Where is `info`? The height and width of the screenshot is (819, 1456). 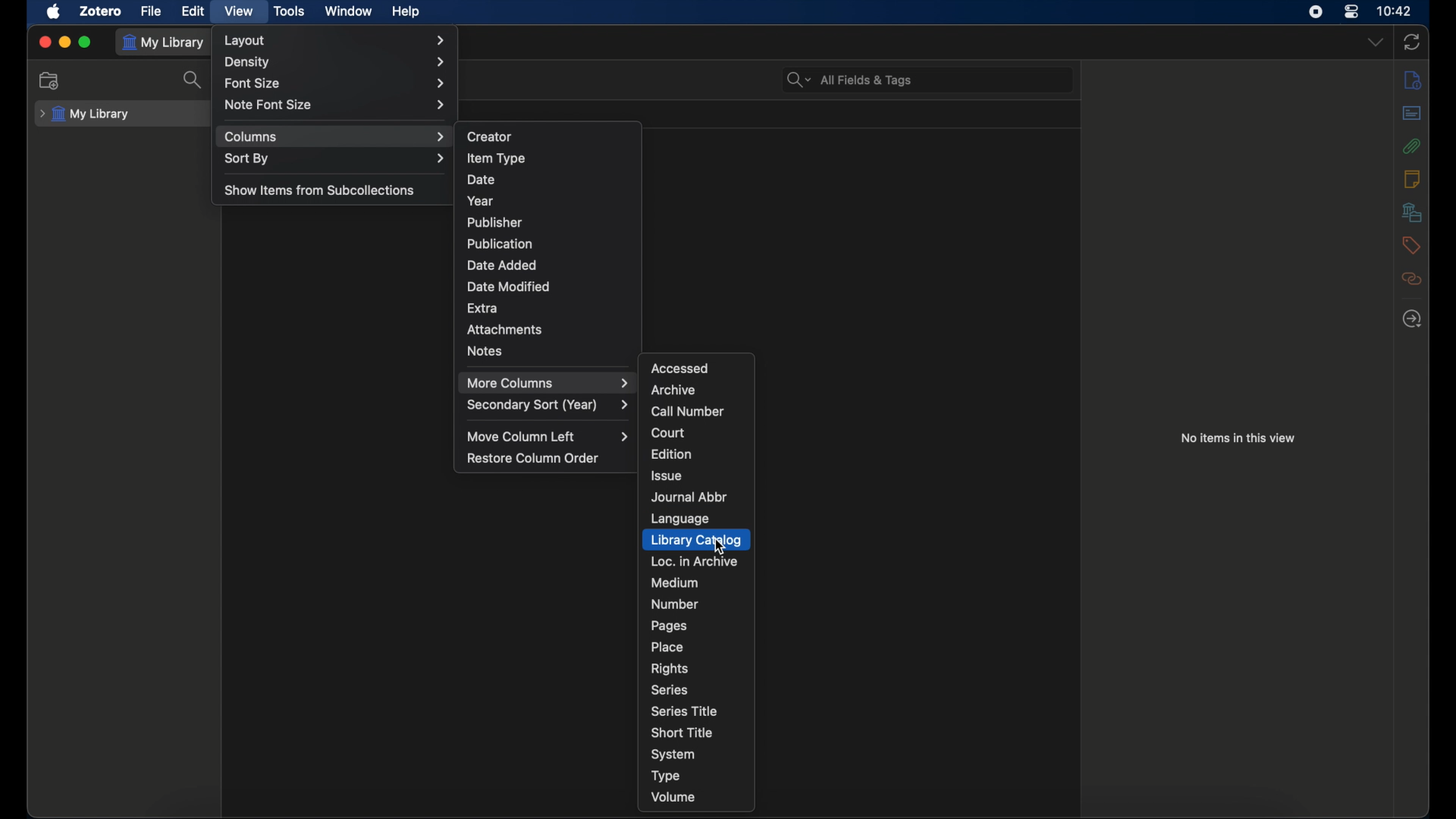 info is located at coordinates (1414, 81).